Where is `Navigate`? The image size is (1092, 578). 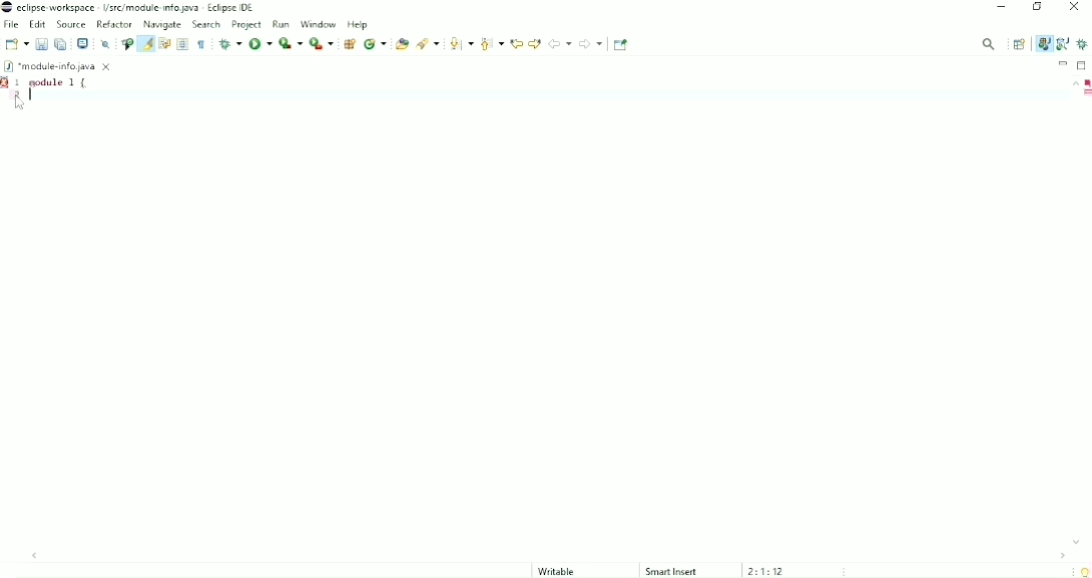 Navigate is located at coordinates (163, 25).